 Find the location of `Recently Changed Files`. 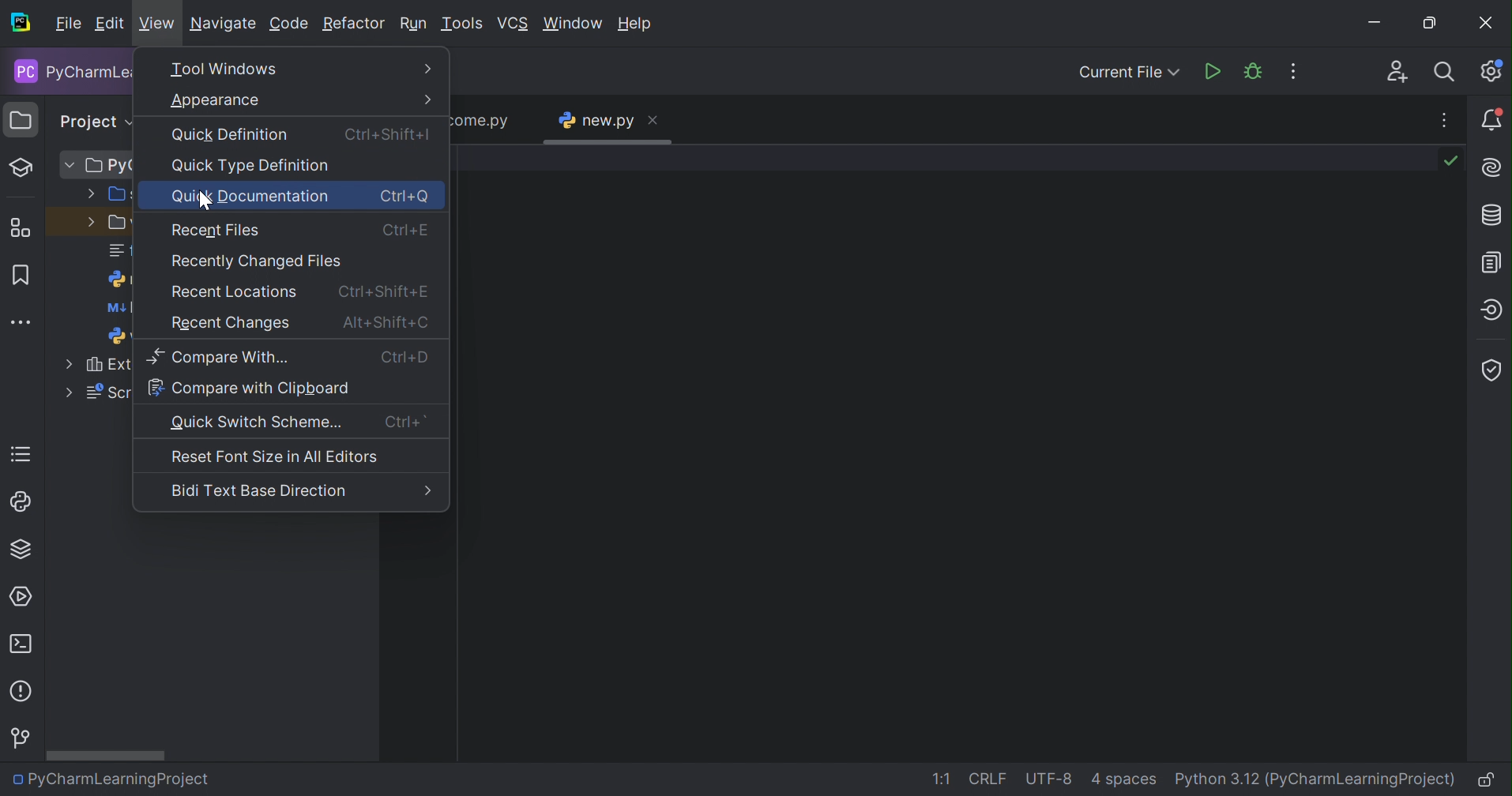

Recently Changed Files is located at coordinates (254, 264).